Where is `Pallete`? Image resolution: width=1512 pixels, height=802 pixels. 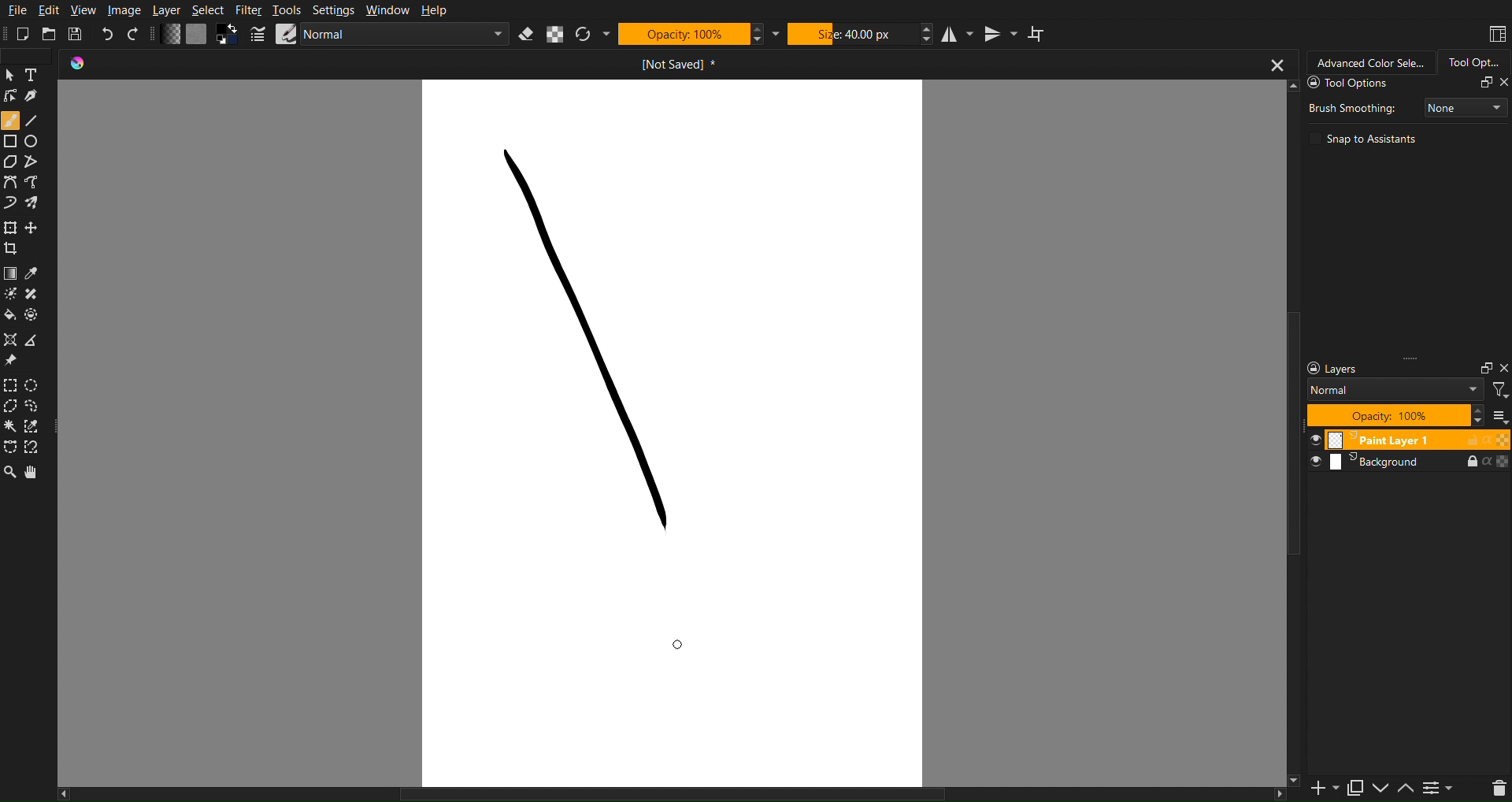 Pallete is located at coordinates (35, 314).